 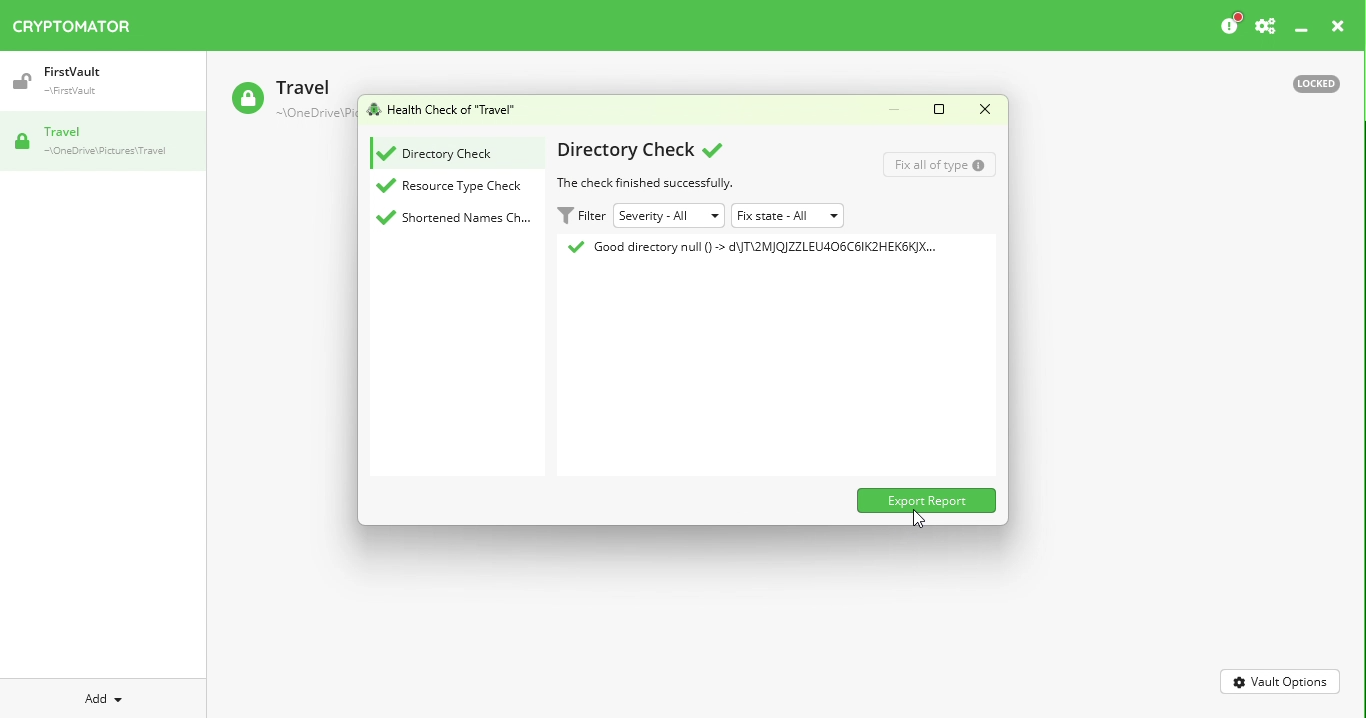 What do you see at coordinates (928, 501) in the screenshot?
I see `Export report` at bounding box center [928, 501].